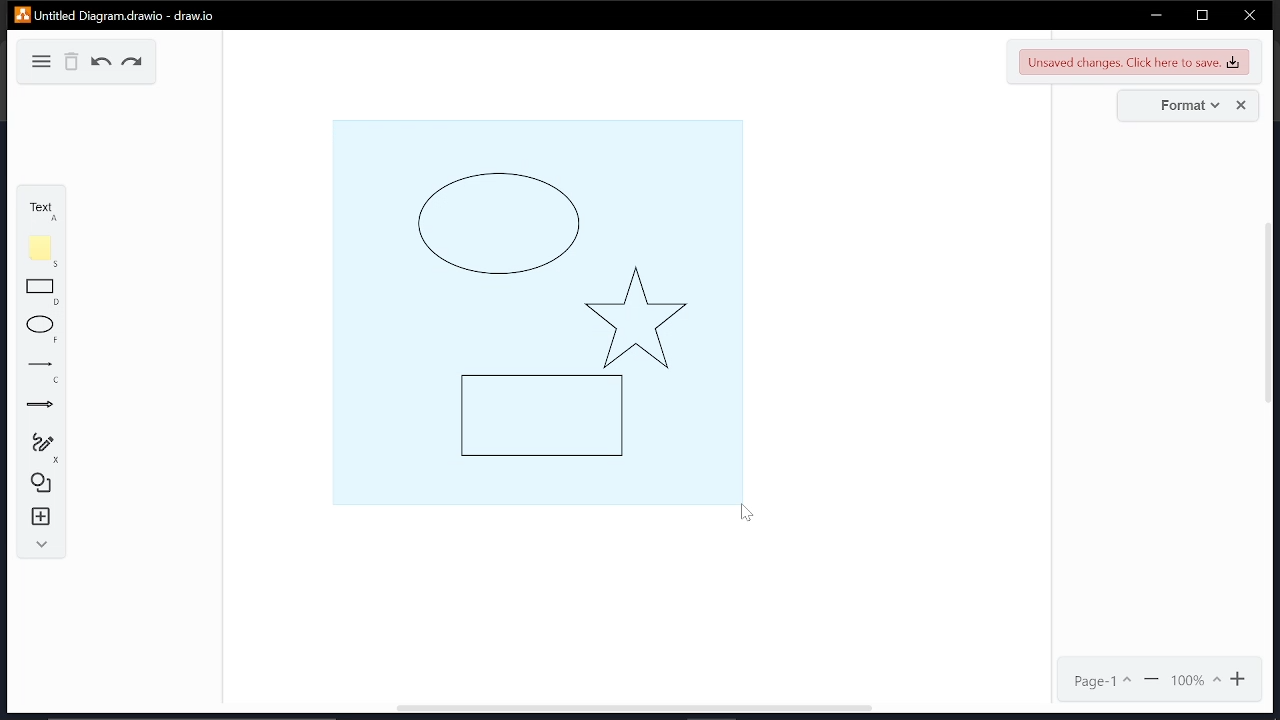  What do you see at coordinates (42, 330) in the screenshot?
I see `ellipse` at bounding box center [42, 330].